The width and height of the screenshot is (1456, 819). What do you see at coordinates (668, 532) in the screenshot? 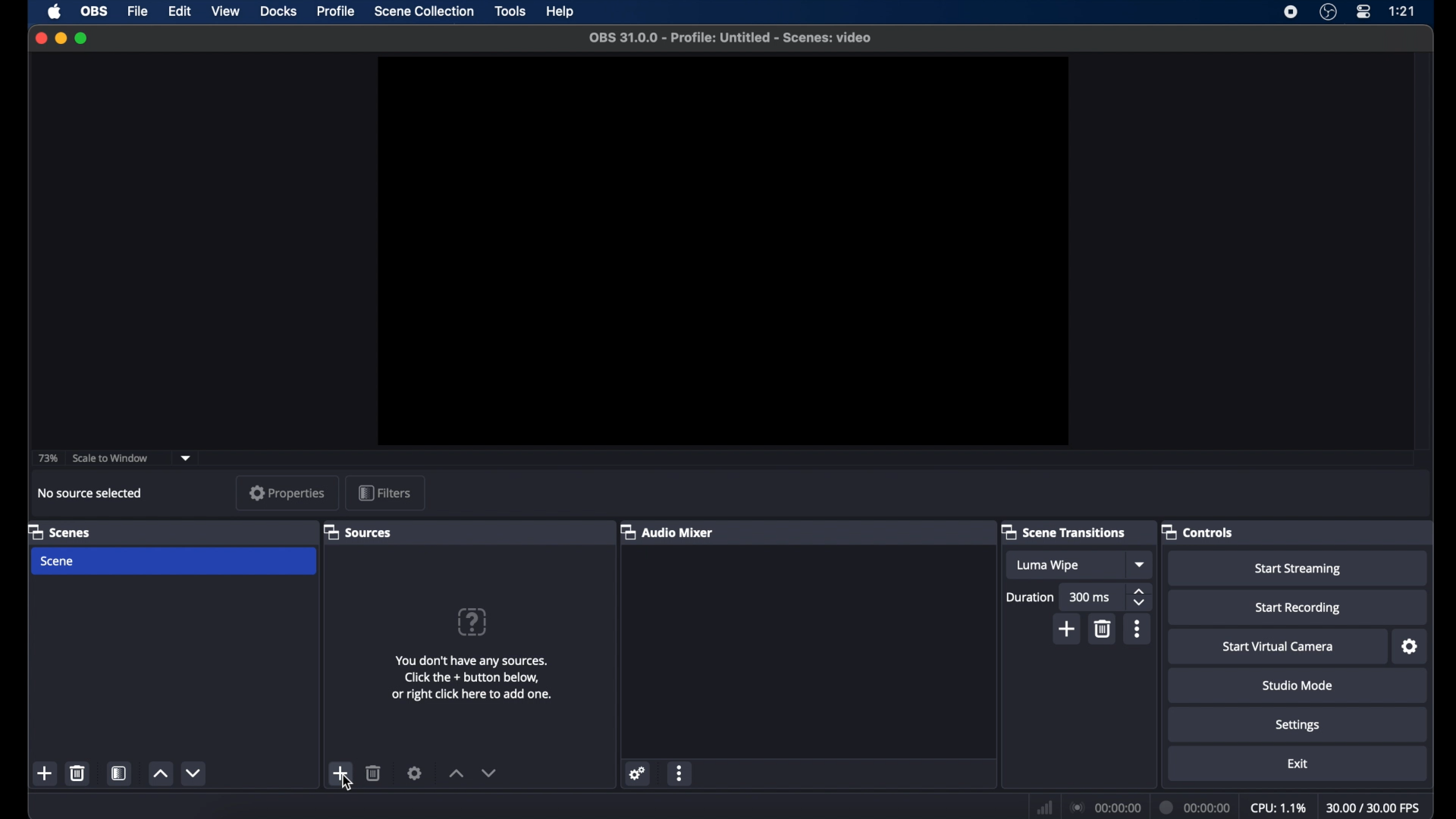
I see `audio mixer` at bounding box center [668, 532].